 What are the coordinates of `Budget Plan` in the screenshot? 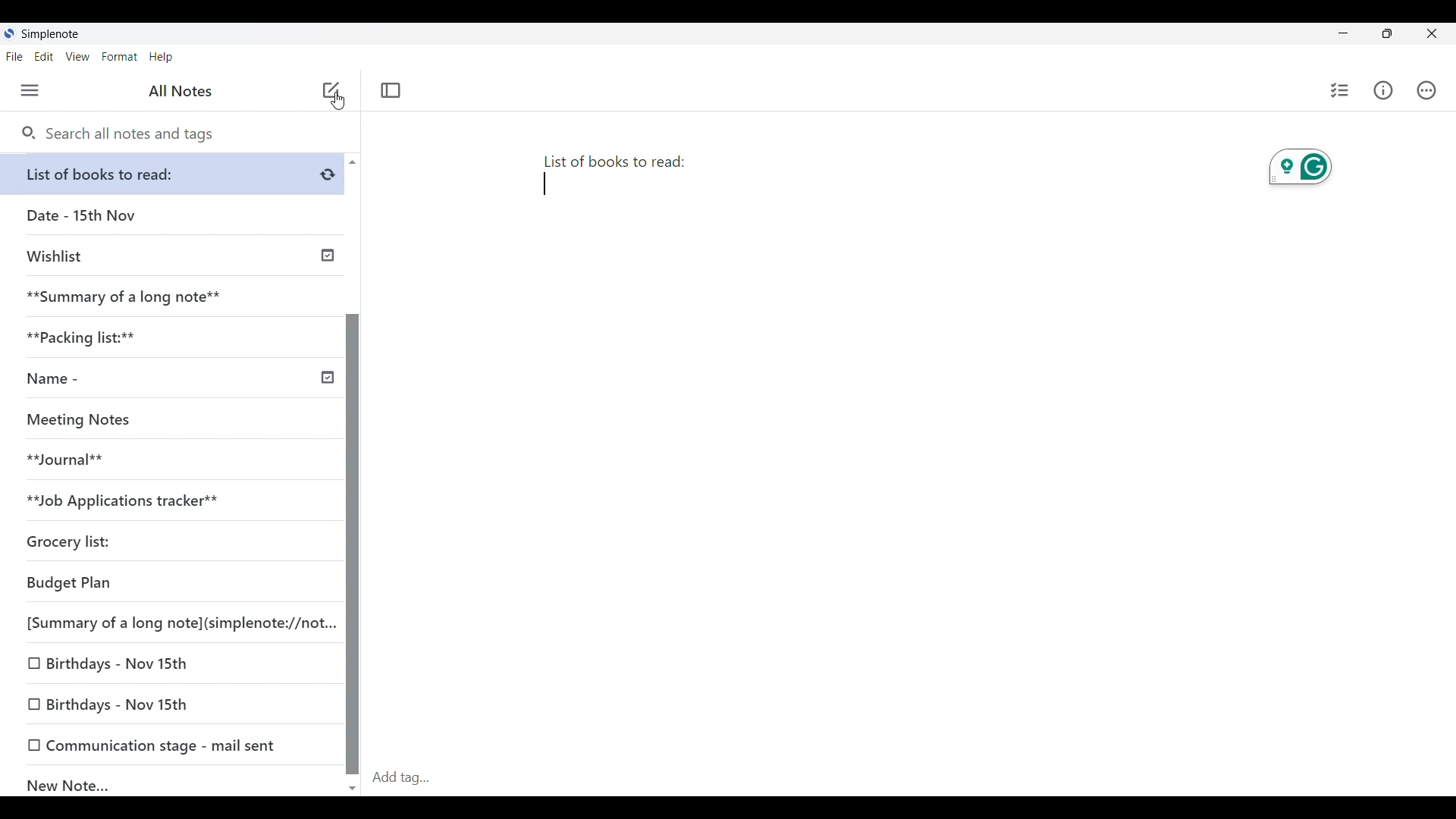 It's located at (170, 584).